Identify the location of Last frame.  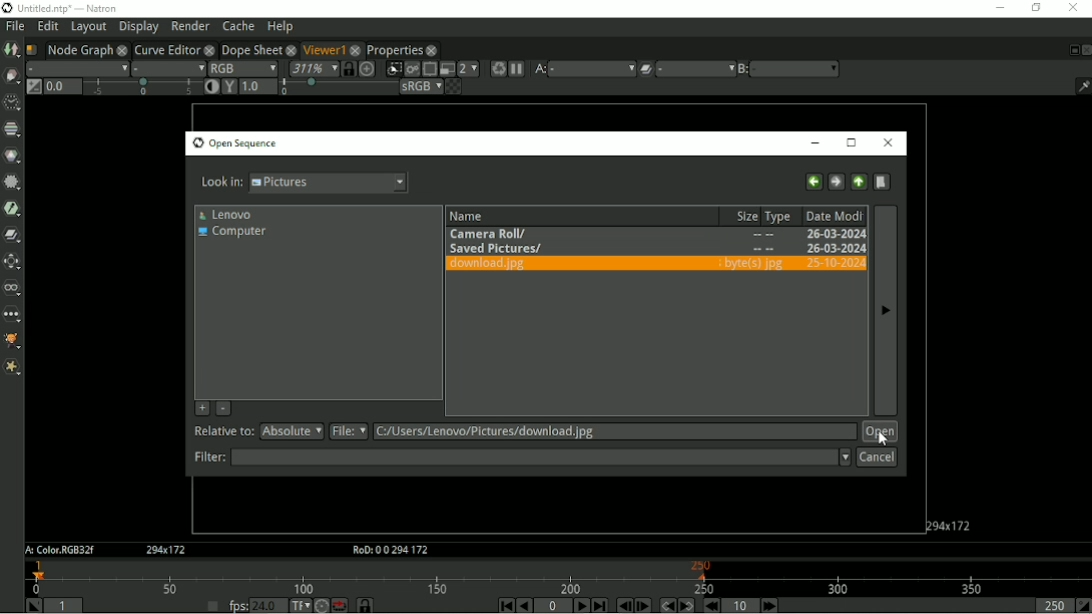
(600, 605).